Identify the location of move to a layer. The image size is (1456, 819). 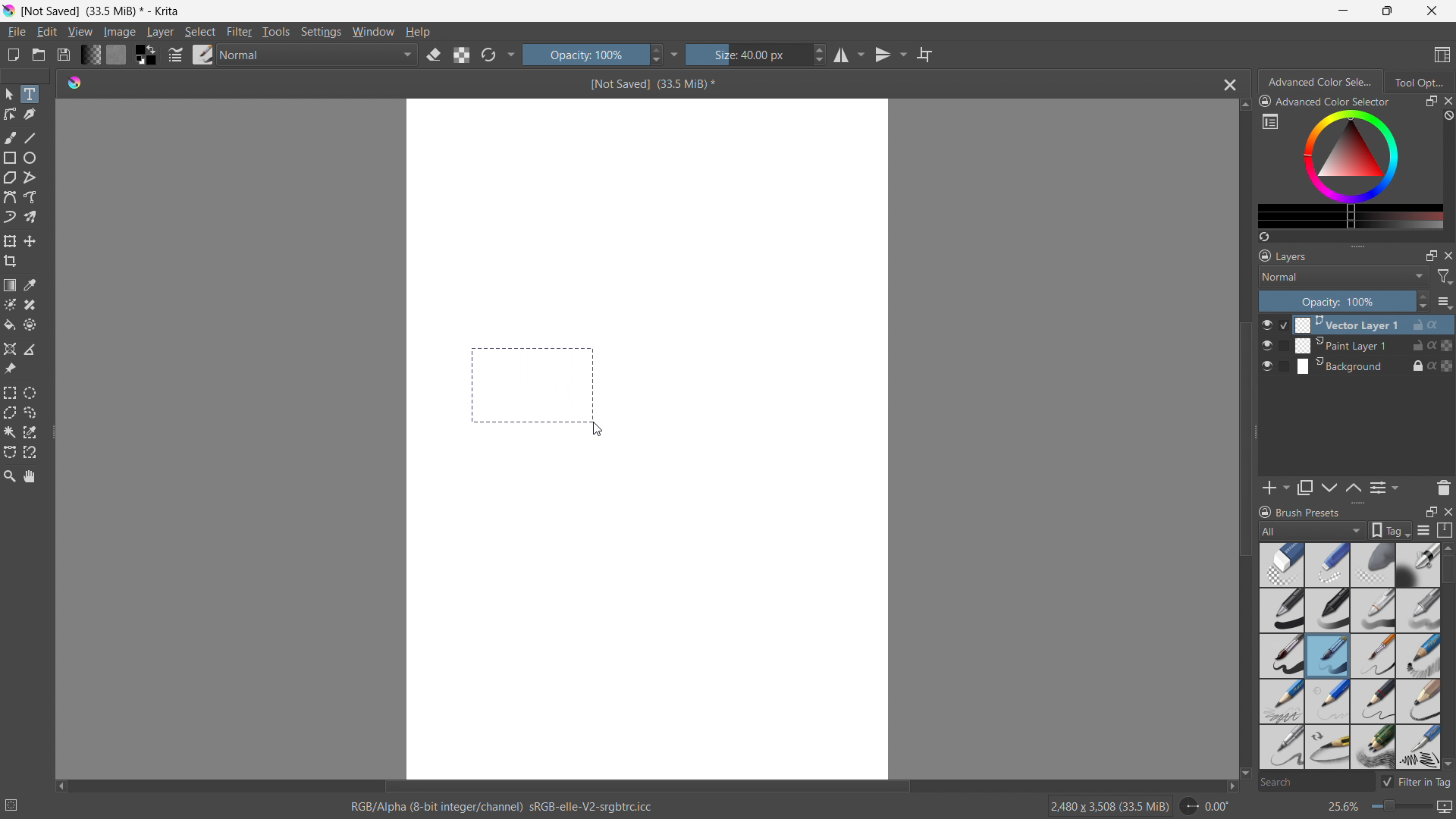
(30, 241).